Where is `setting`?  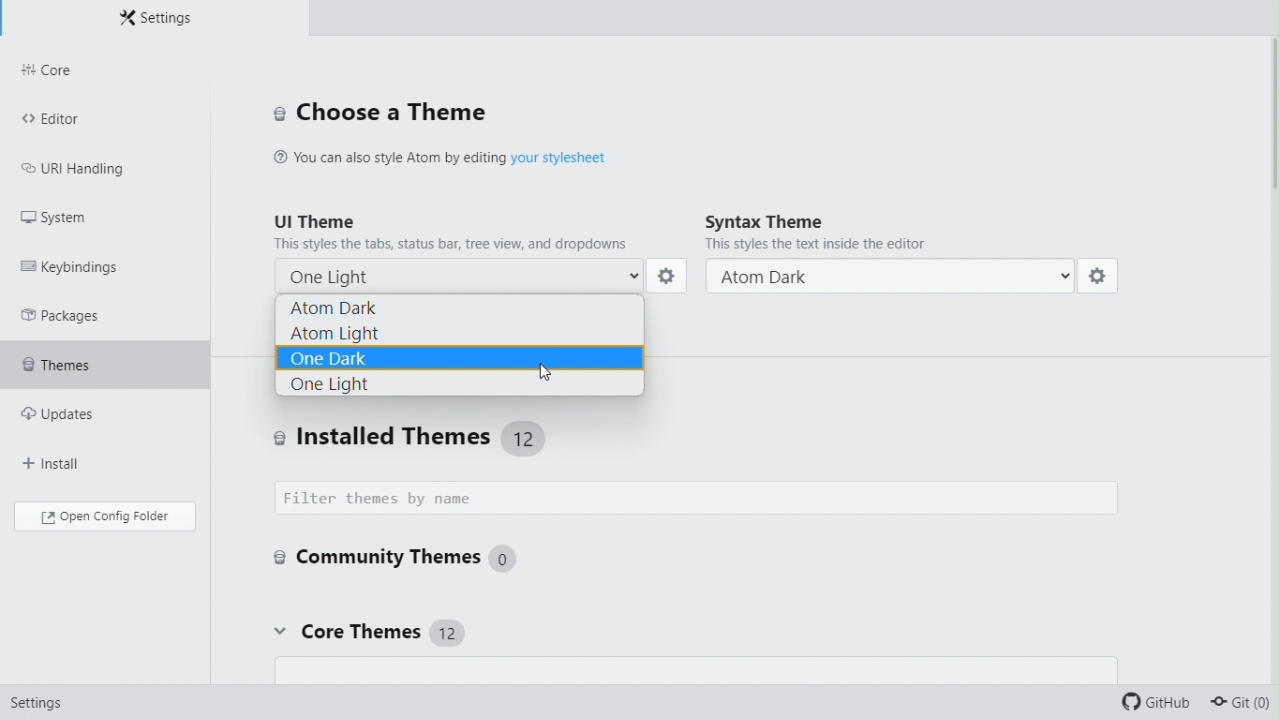
setting is located at coordinates (43, 700).